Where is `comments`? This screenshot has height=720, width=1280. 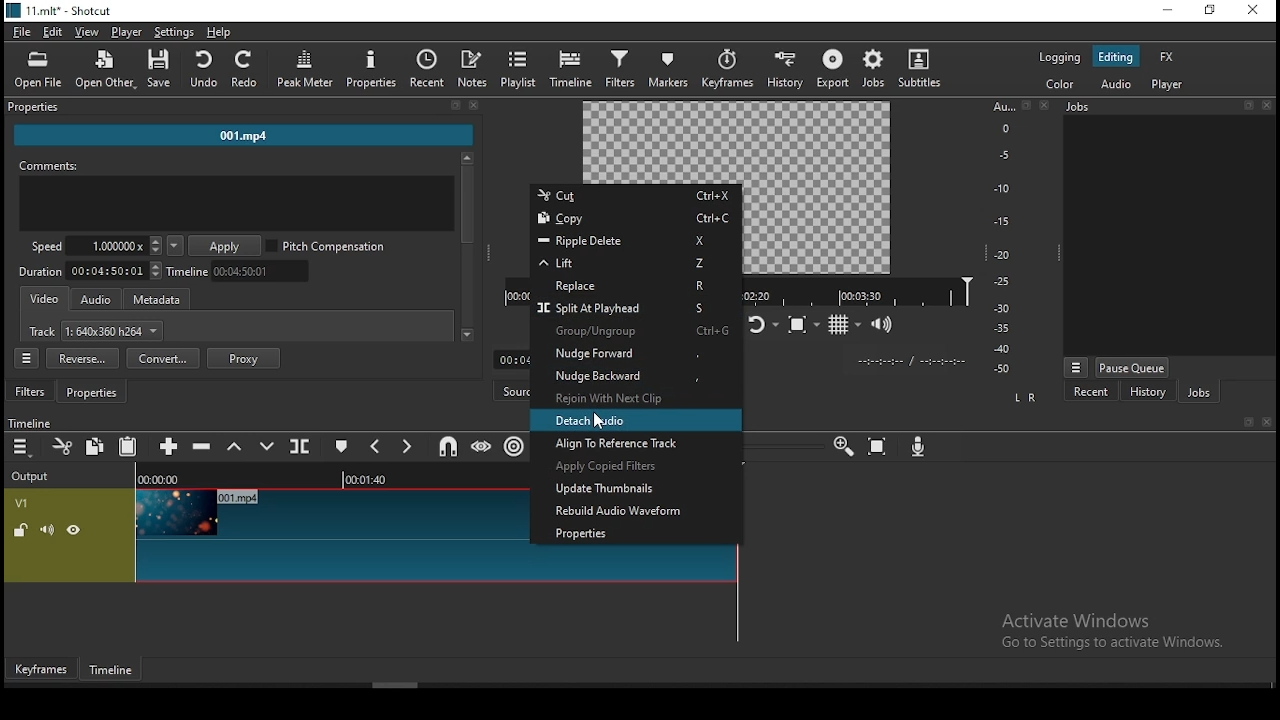
comments is located at coordinates (234, 195).